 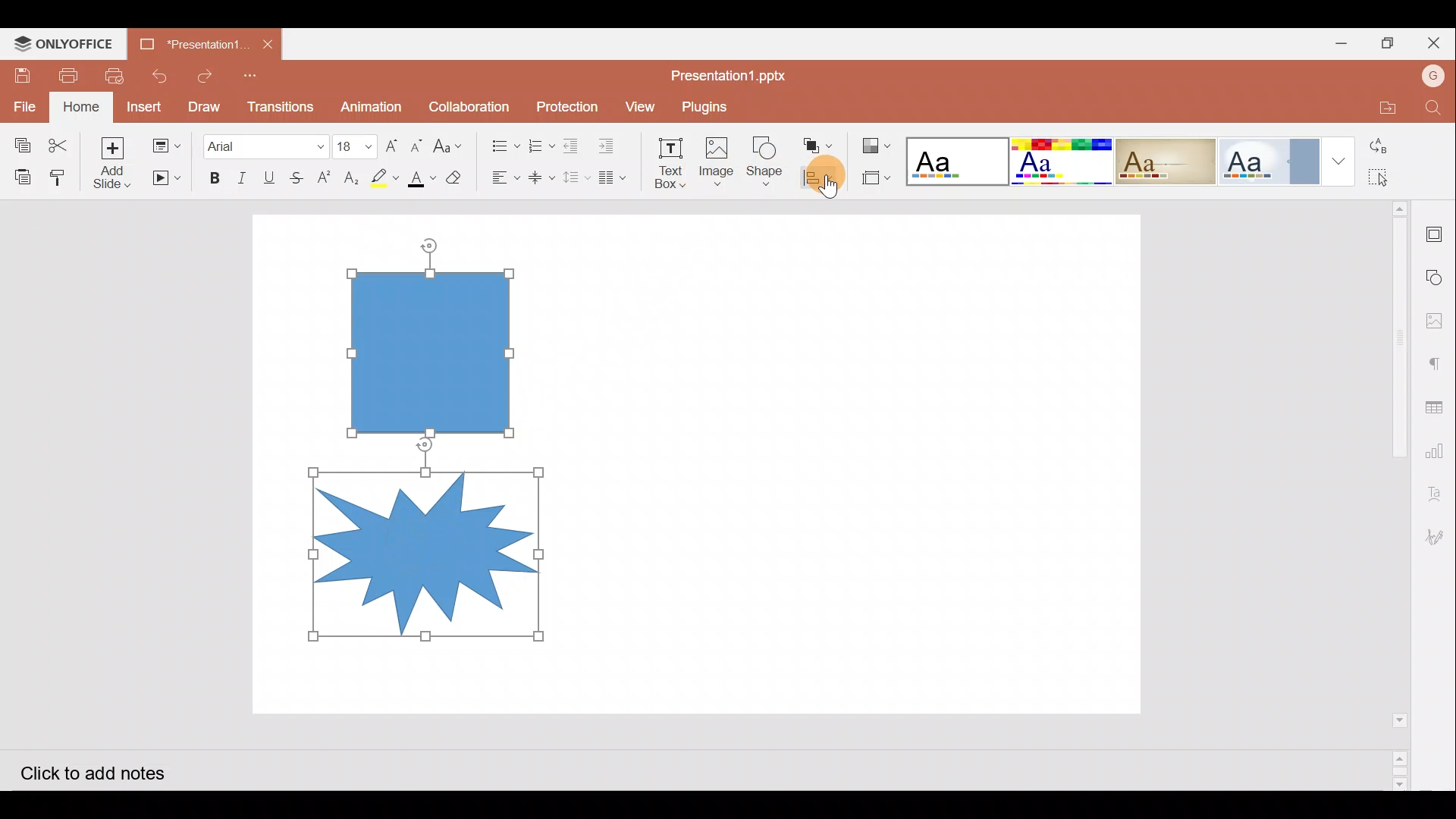 I want to click on Home, so click(x=81, y=107).